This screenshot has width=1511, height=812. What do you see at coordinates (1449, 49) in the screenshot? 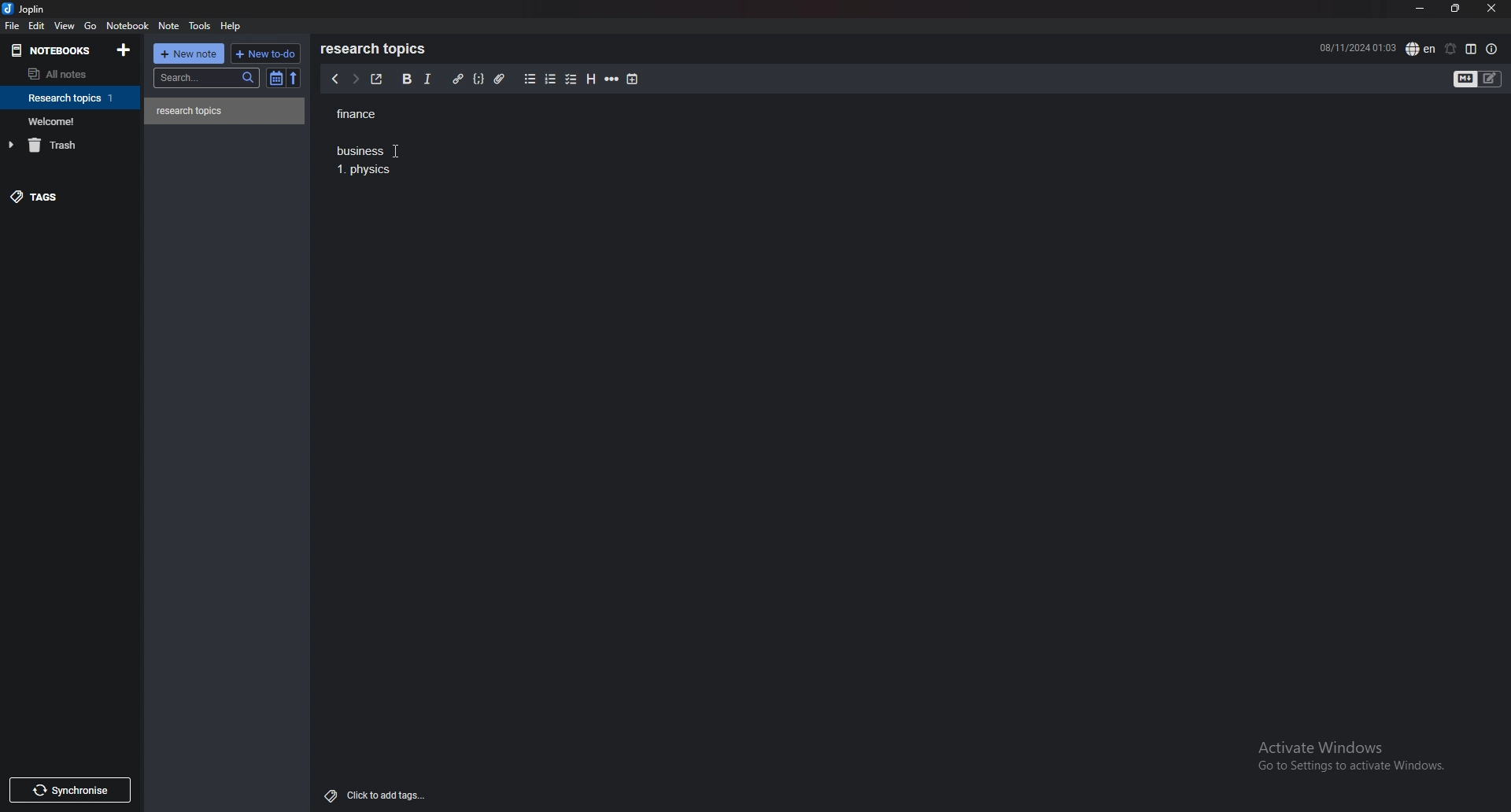
I see `set alarm` at bounding box center [1449, 49].